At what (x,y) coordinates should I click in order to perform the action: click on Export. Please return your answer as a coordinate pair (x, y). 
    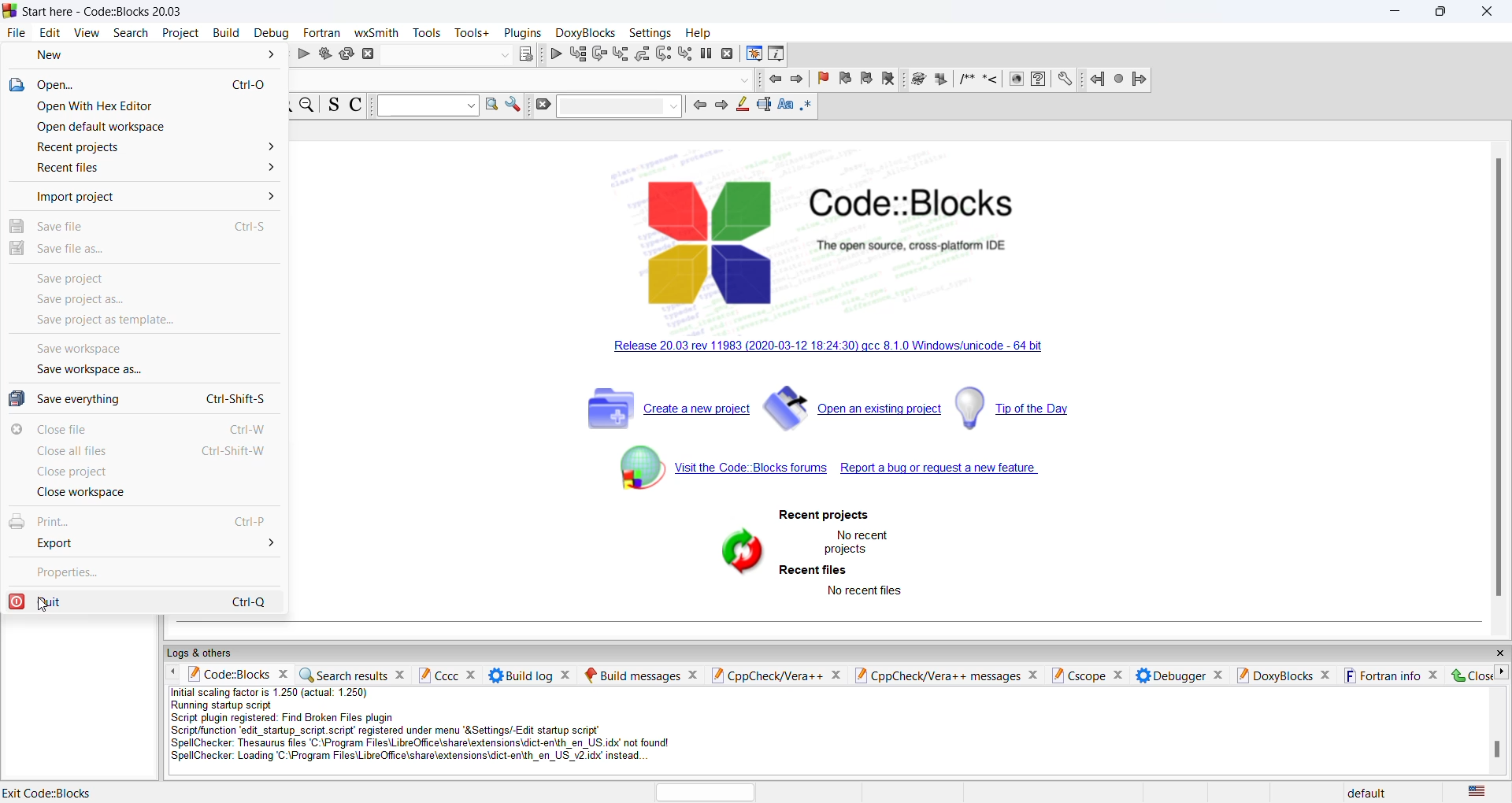
    Looking at the image, I should click on (154, 543).